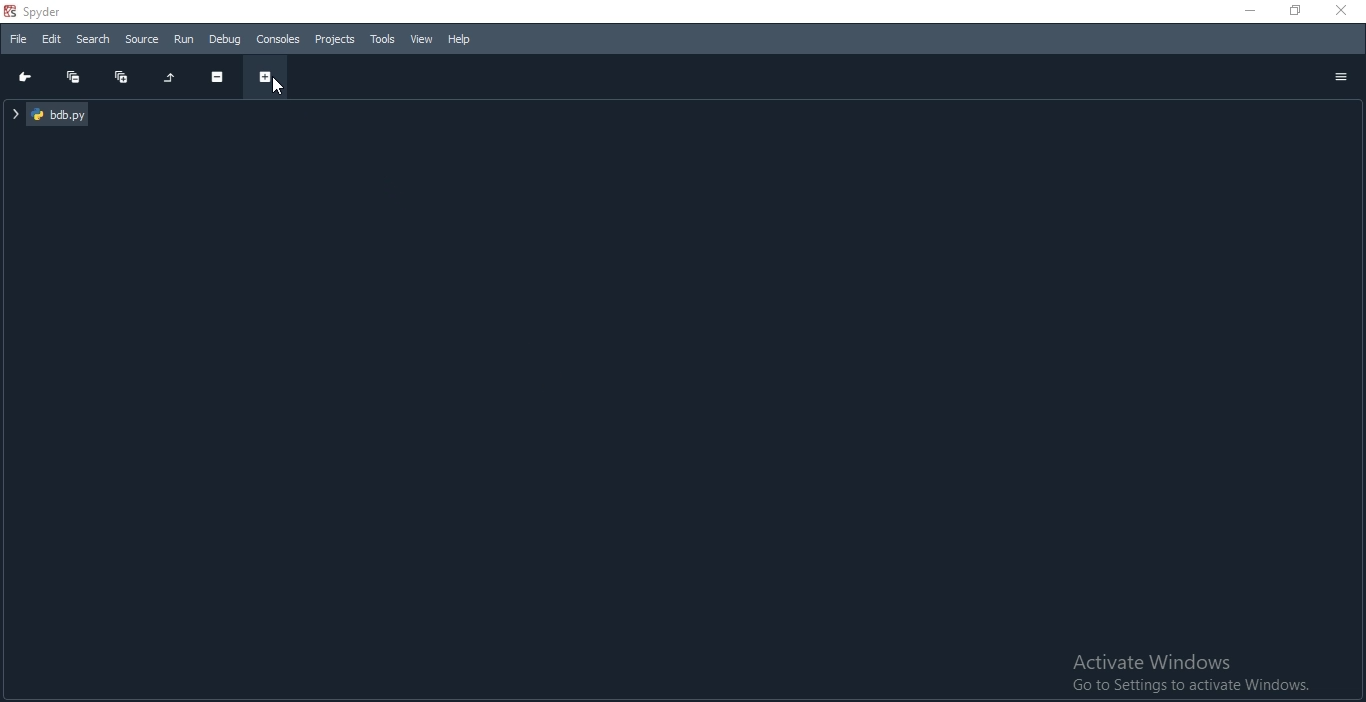 This screenshot has width=1366, height=702. I want to click on options, so click(1339, 76).